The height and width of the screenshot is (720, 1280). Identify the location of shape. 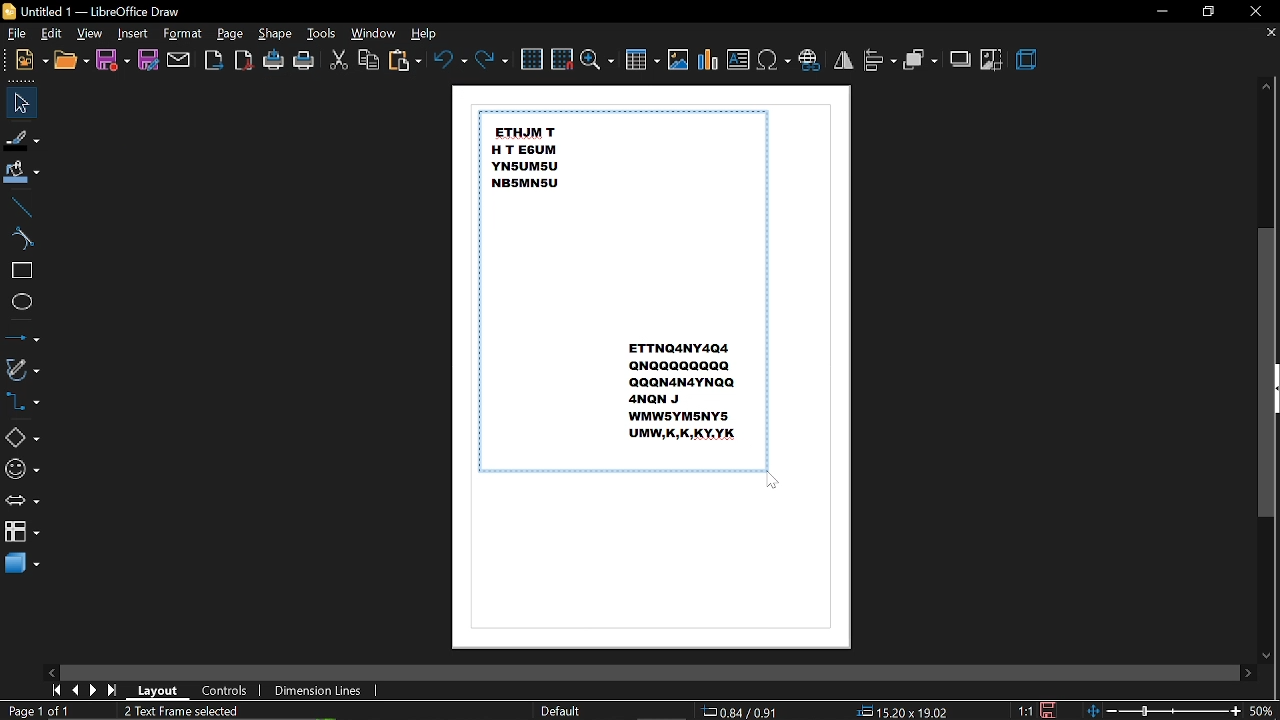
(274, 34).